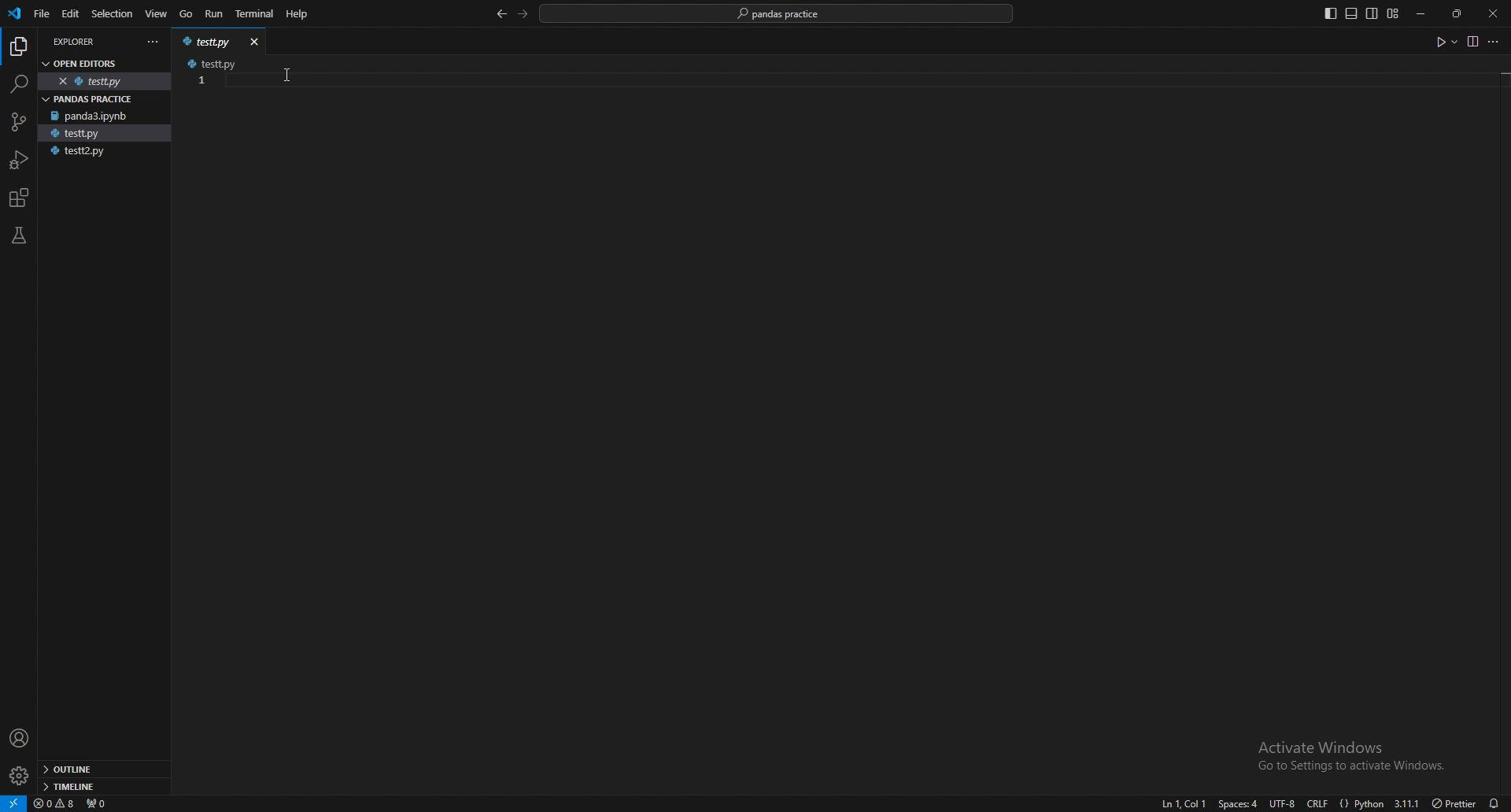 This screenshot has height=812, width=1511. I want to click on run, so click(216, 14).